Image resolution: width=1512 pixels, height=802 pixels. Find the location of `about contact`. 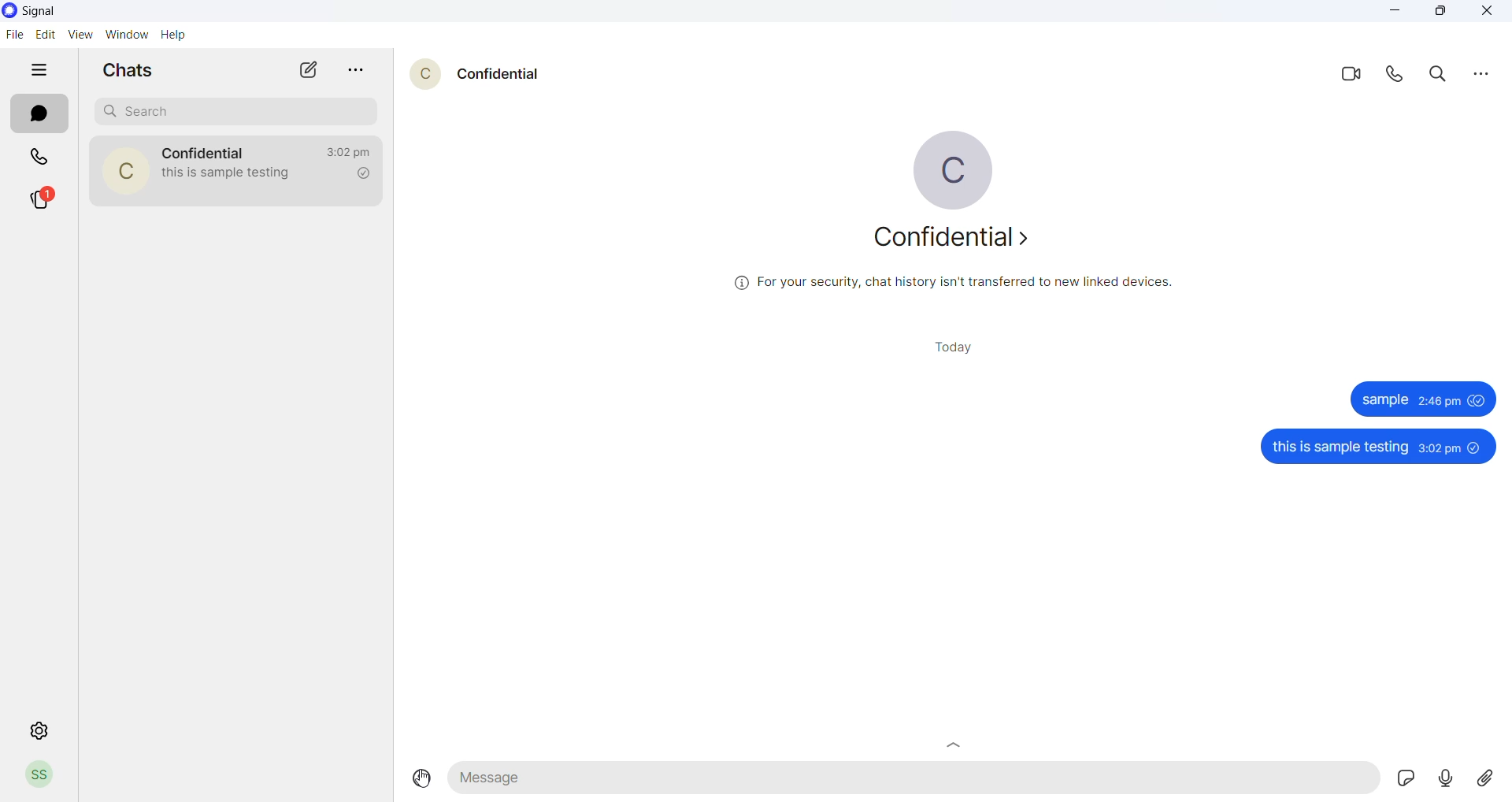

about contact is located at coordinates (957, 242).